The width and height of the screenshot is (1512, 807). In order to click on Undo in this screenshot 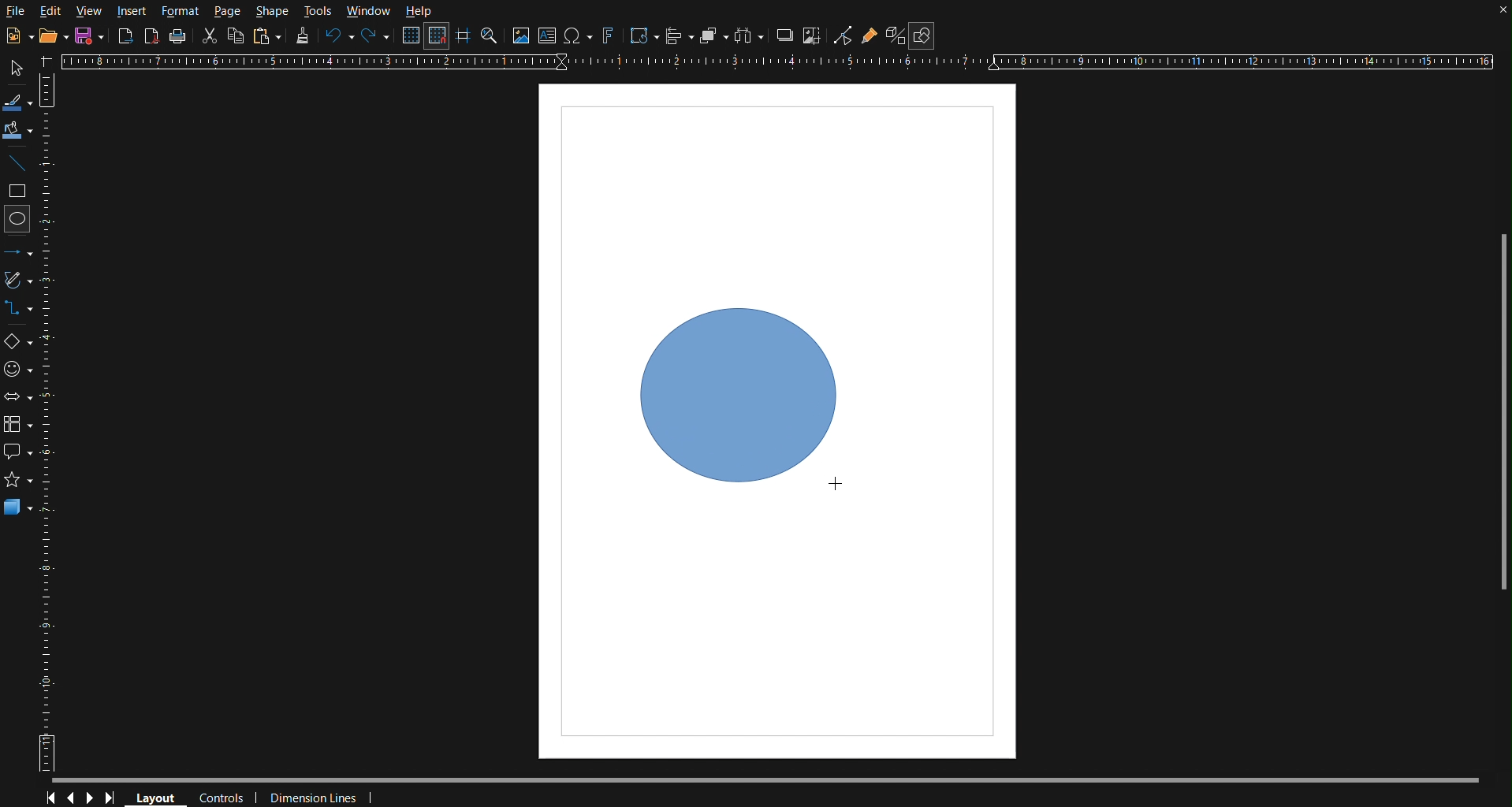, I will do `click(339, 39)`.